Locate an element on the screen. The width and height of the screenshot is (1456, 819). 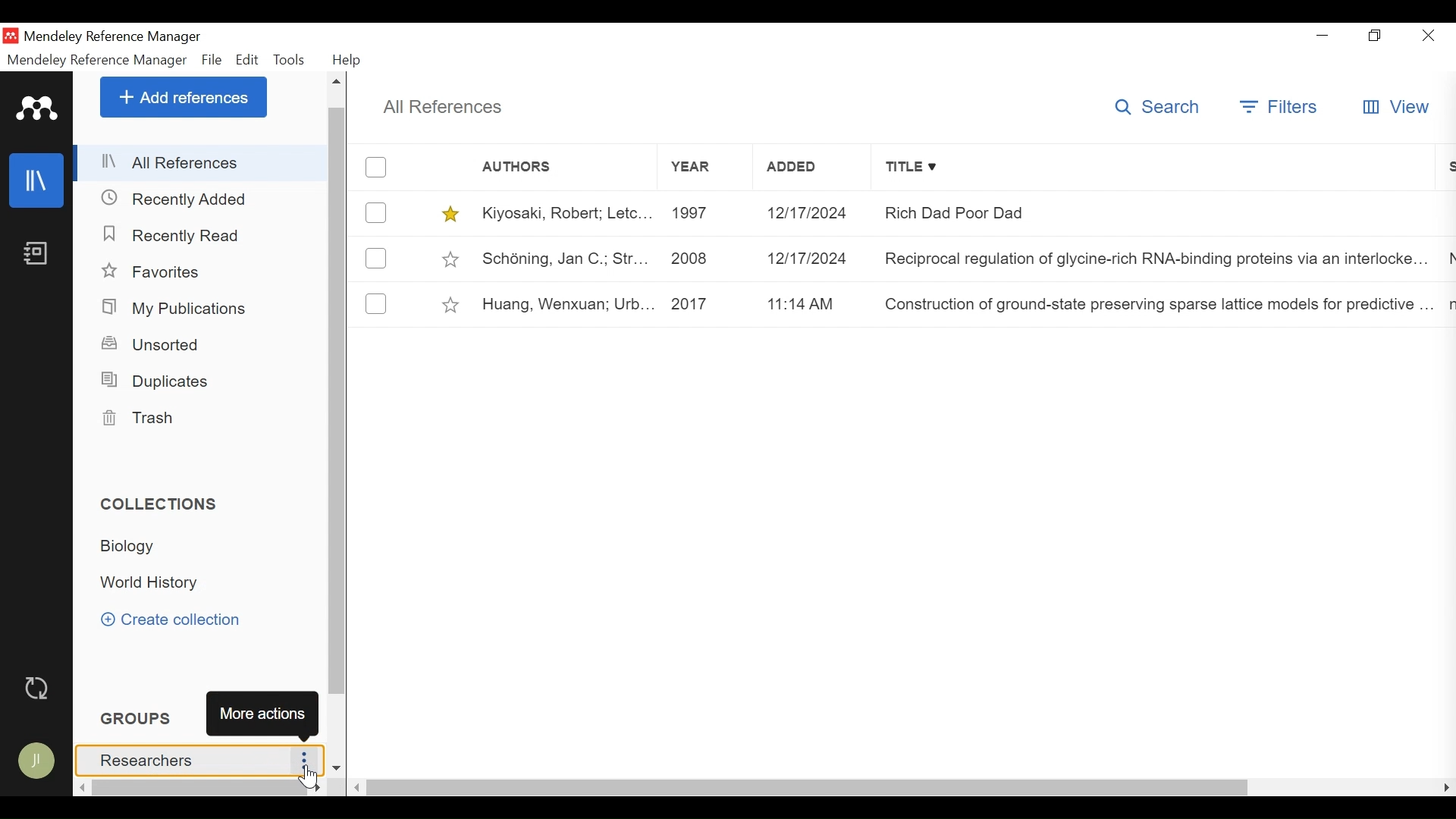
Mendeley Logo is located at coordinates (37, 108).